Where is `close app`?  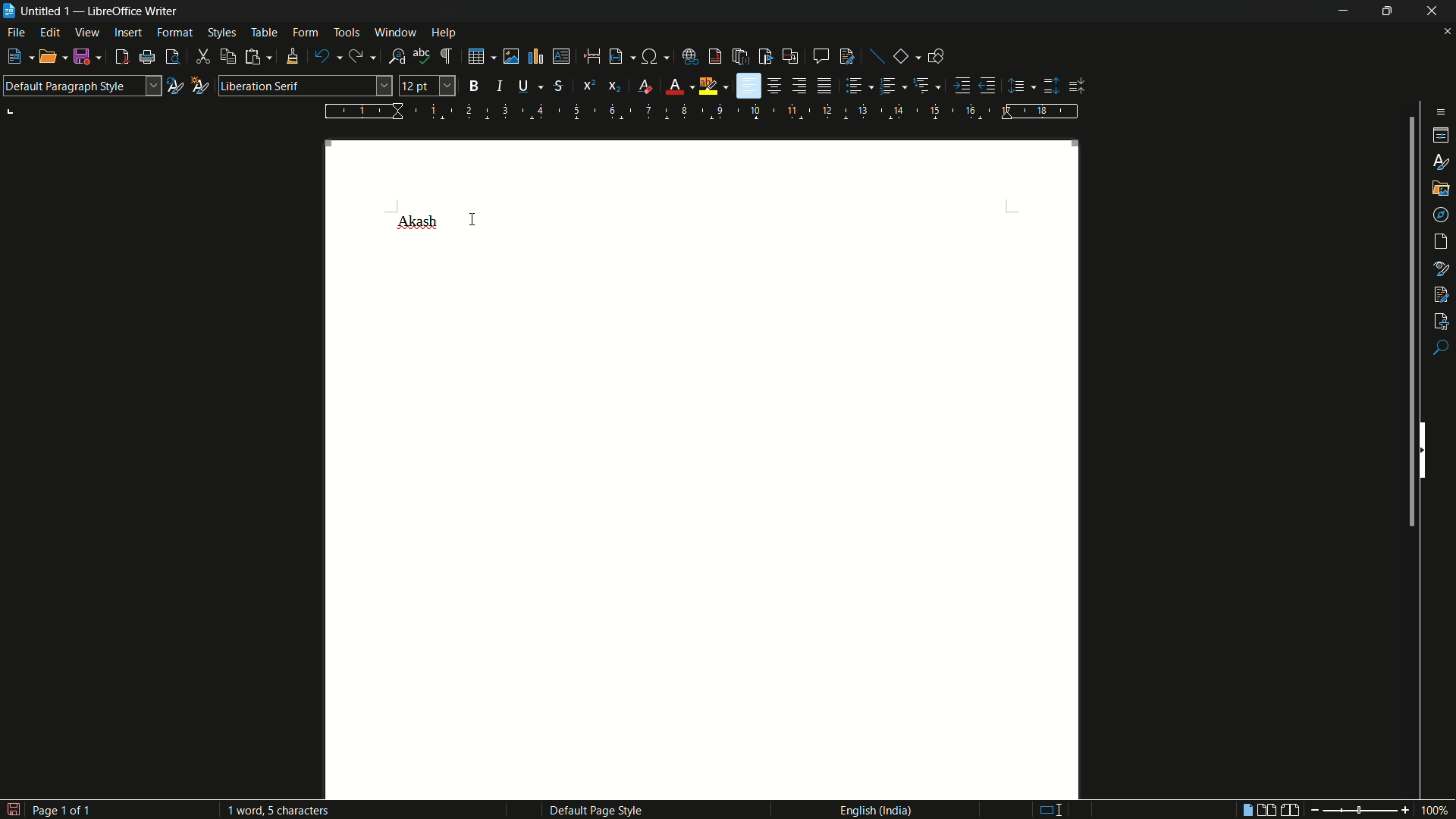 close app is located at coordinates (1433, 11).